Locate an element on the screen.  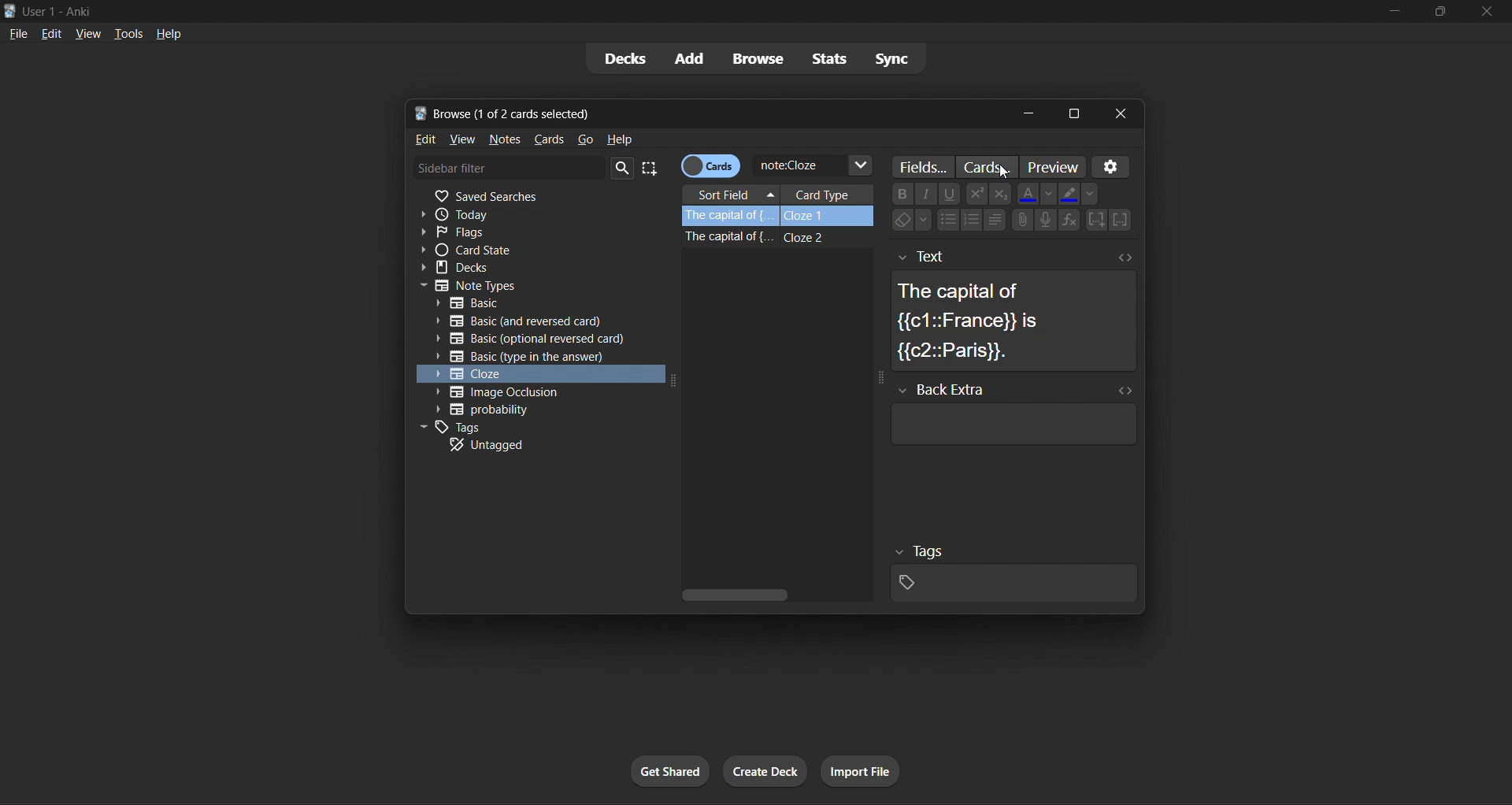
cards is located at coordinates (547, 137).